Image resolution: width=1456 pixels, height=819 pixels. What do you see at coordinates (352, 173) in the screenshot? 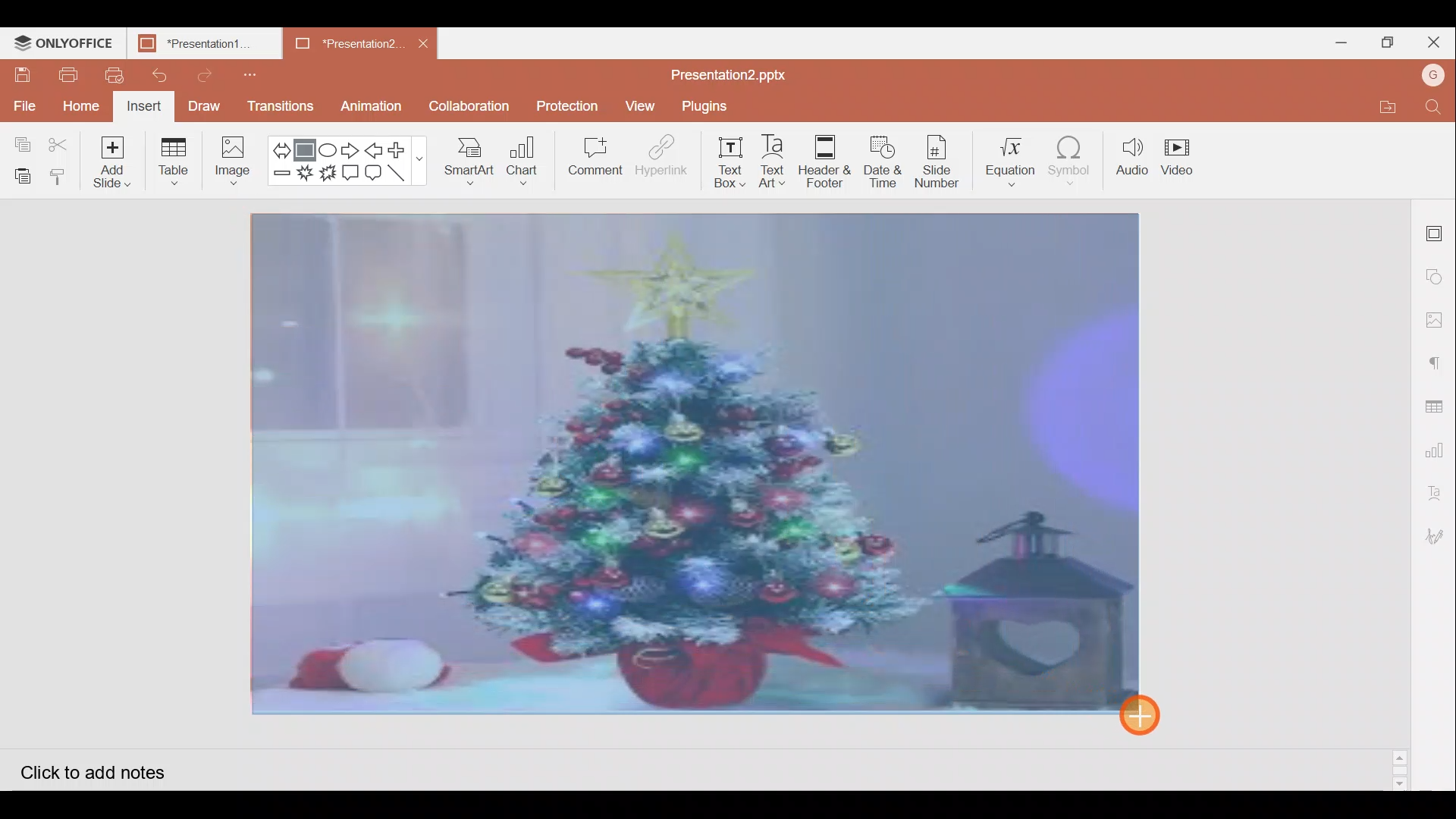
I see `Rectangular callout` at bounding box center [352, 173].